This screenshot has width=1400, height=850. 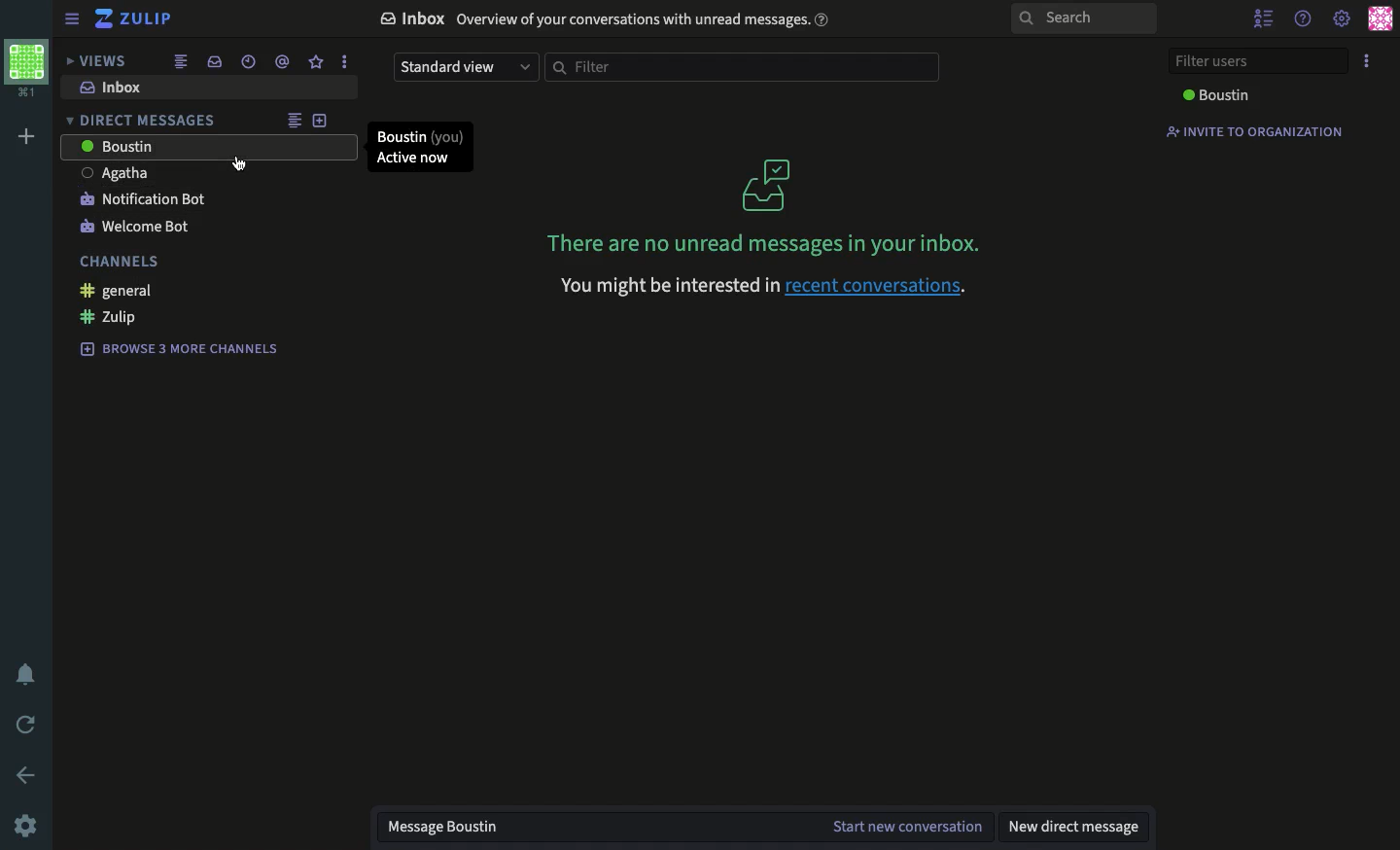 What do you see at coordinates (316, 61) in the screenshot?
I see `favorite` at bounding box center [316, 61].